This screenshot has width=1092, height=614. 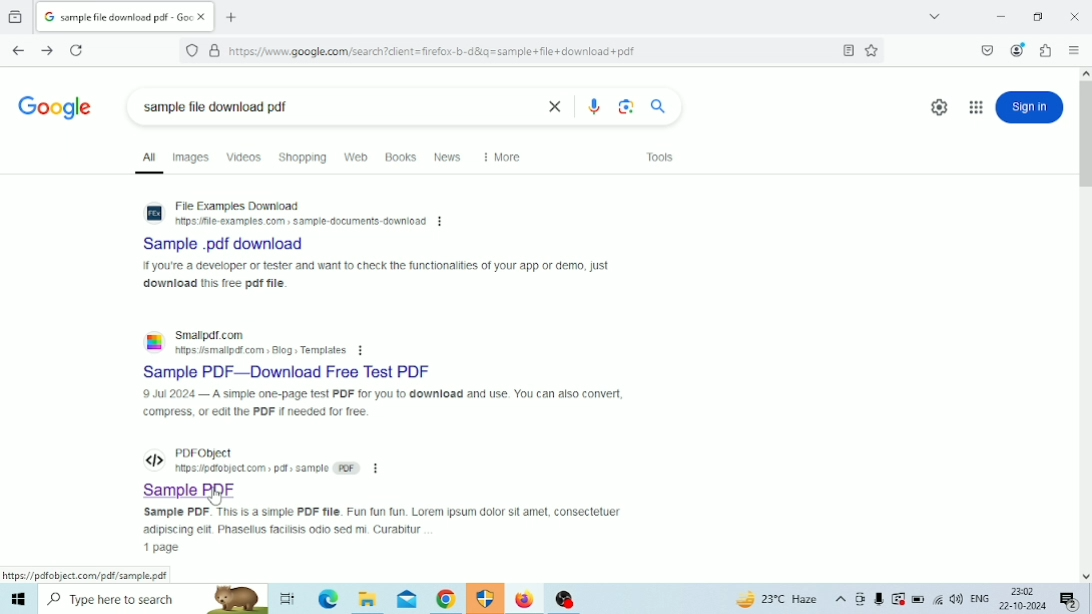 I want to click on Videos, so click(x=242, y=157).